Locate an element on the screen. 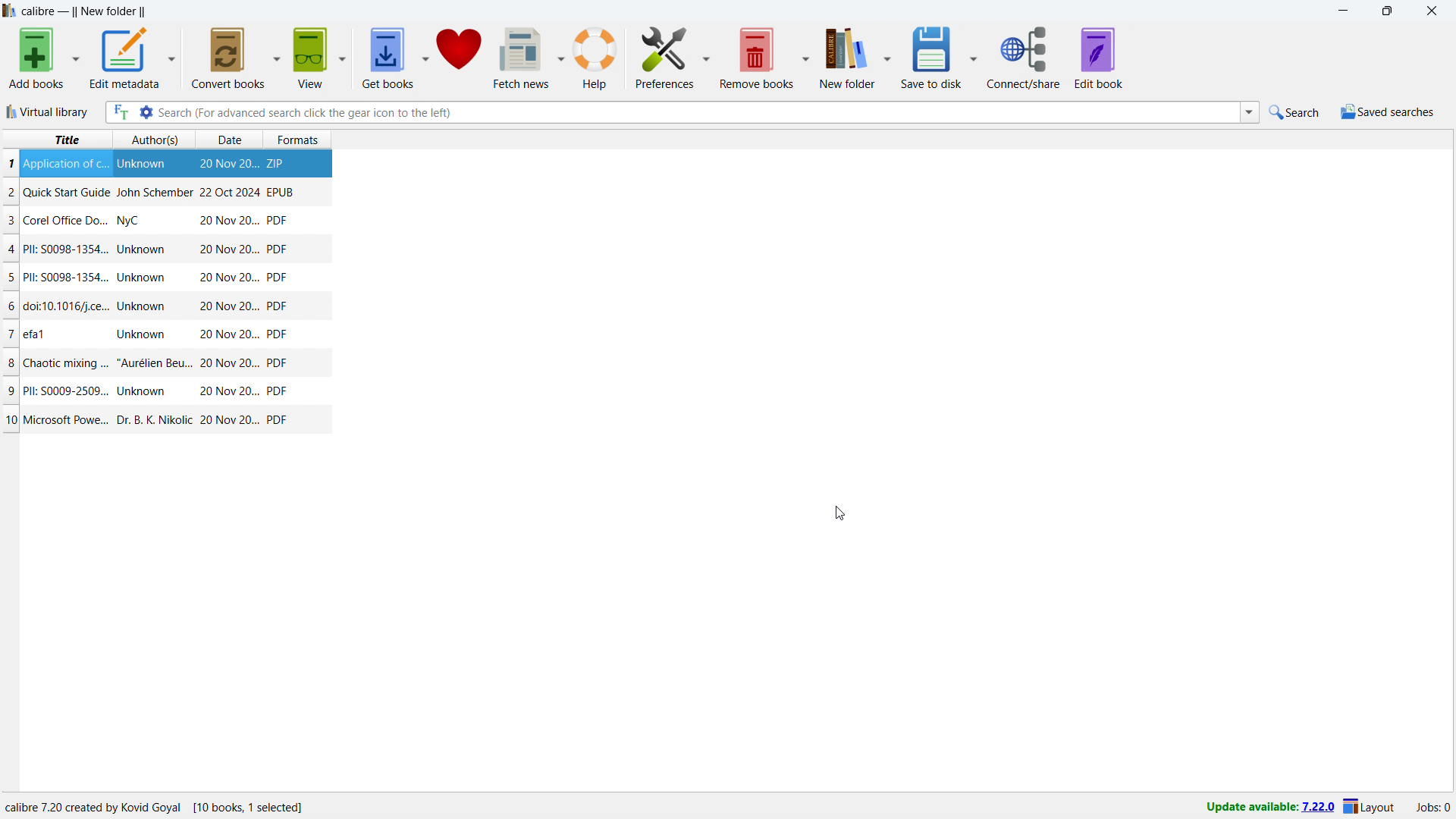 The width and height of the screenshot is (1456, 819). PDF is located at coordinates (277, 220).